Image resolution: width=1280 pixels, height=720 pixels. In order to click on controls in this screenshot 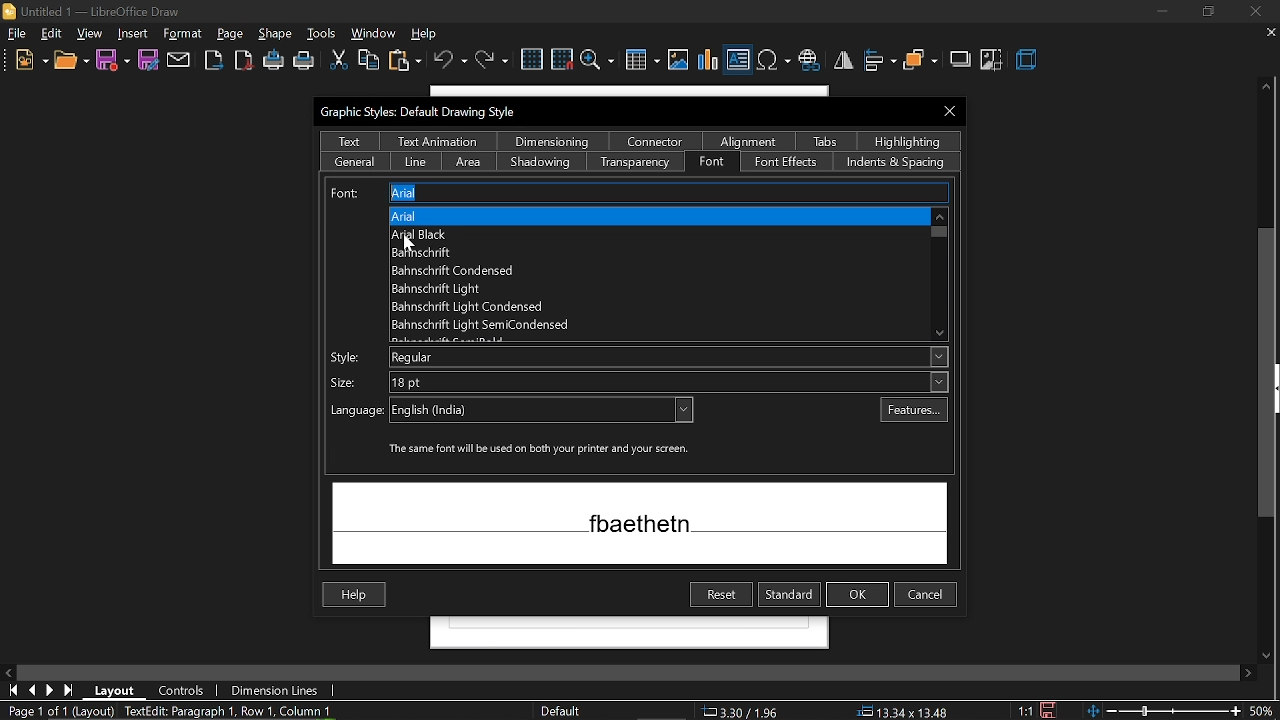, I will do `click(184, 690)`.